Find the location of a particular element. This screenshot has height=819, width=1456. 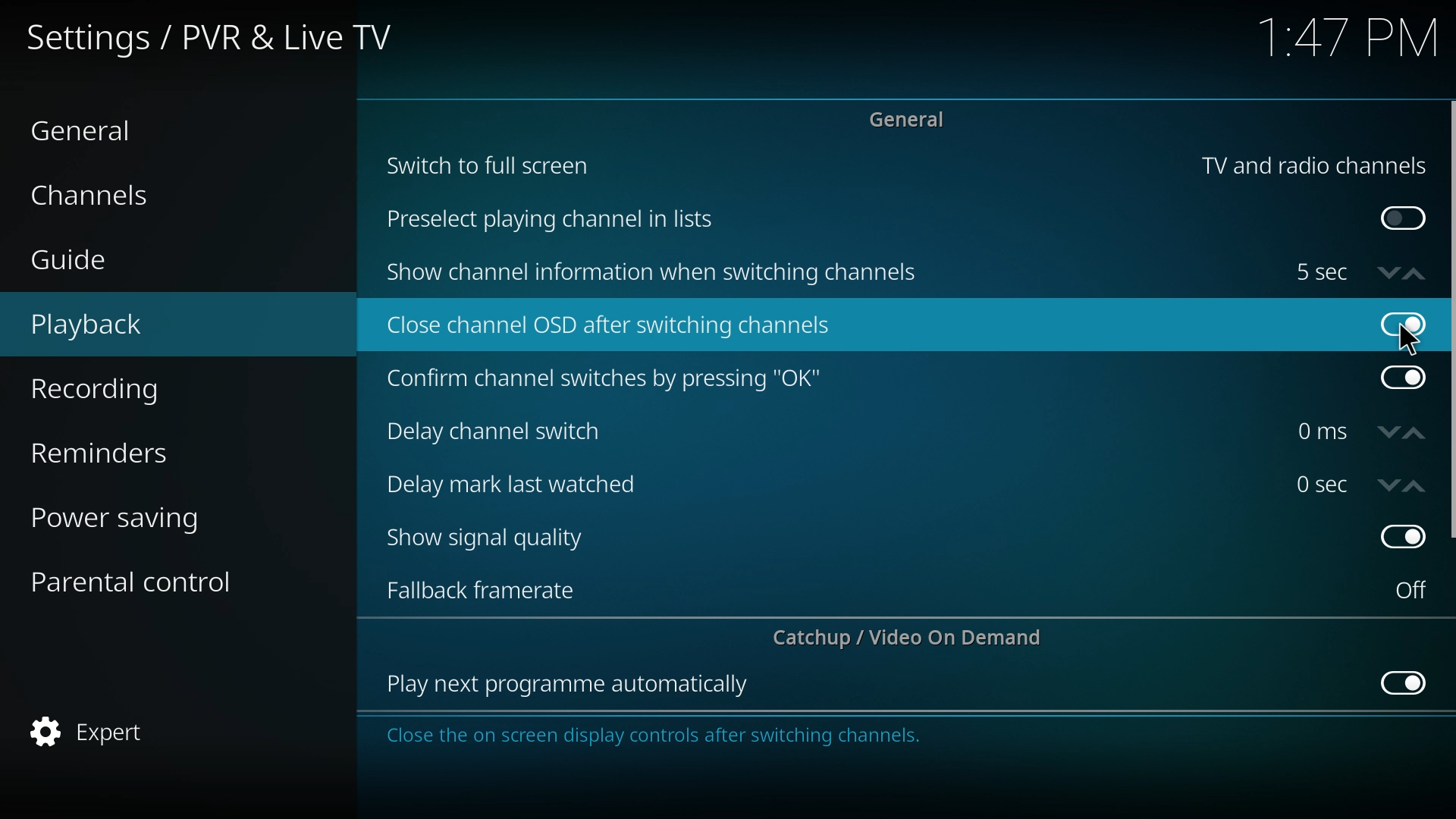

playback is located at coordinates (133, 325).